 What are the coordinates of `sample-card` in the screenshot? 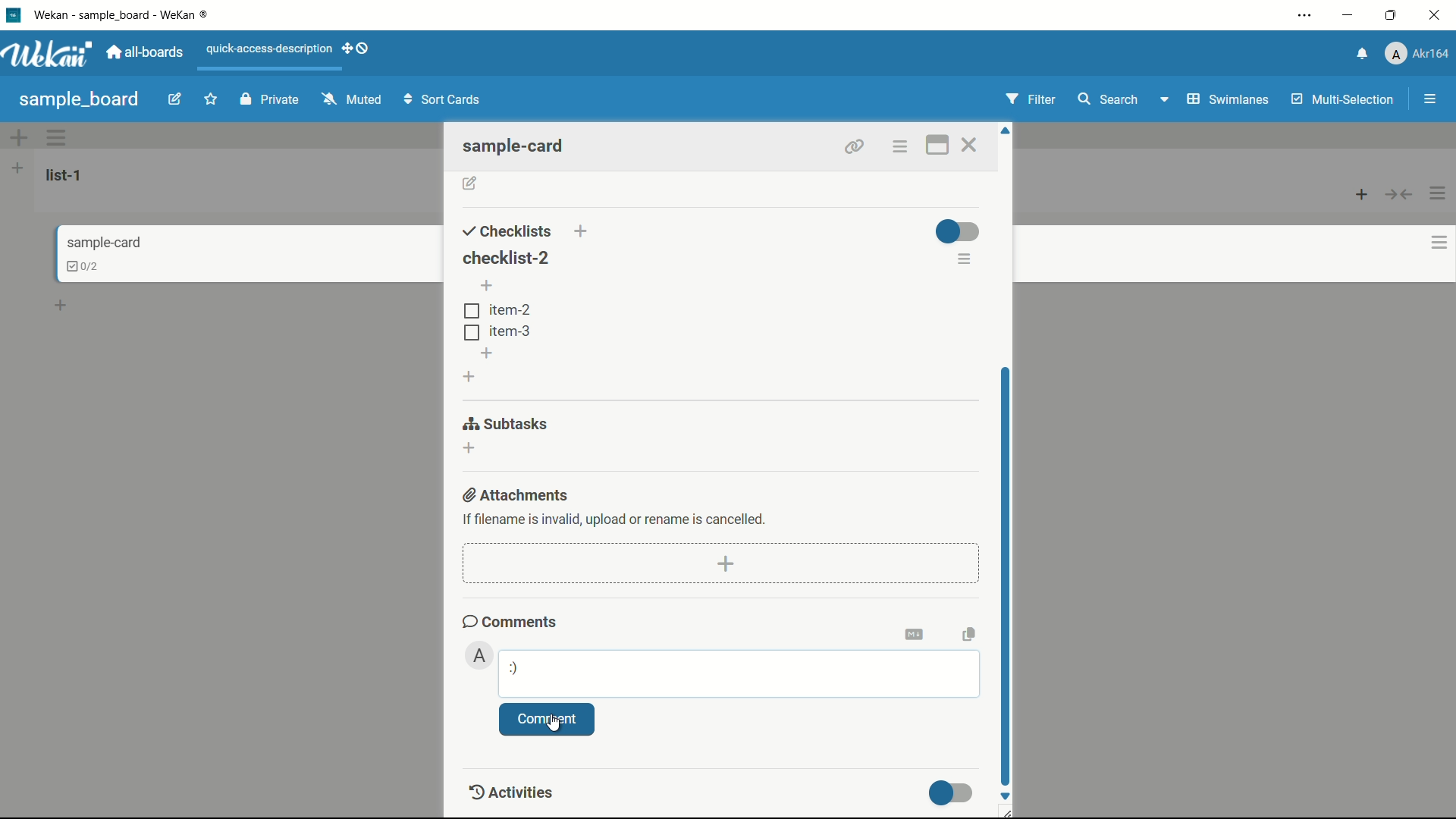 It's located at (521, 146).